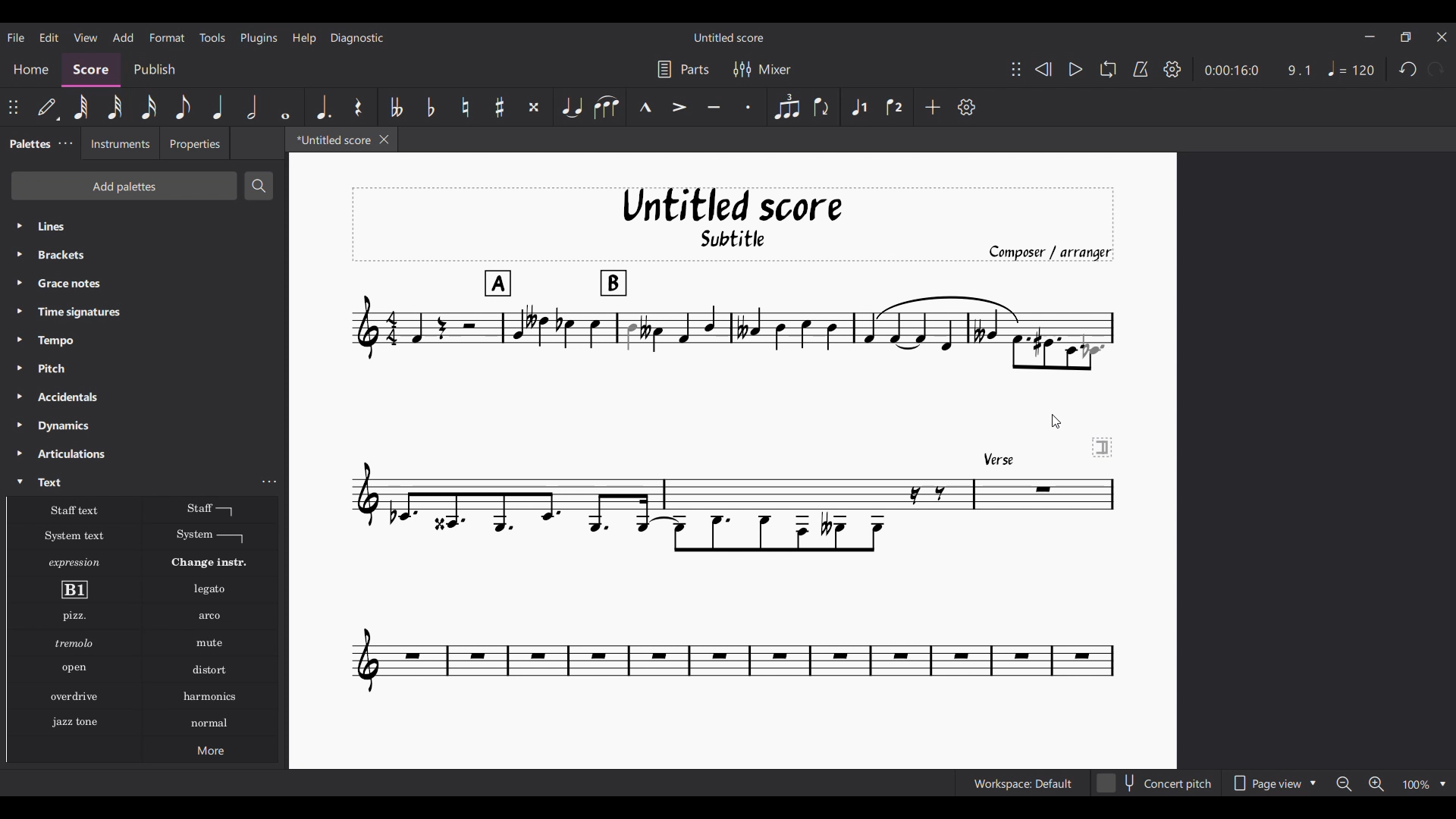 This screenshot has height=819, width=1456. I want to click on Tie, so click(571, 106).